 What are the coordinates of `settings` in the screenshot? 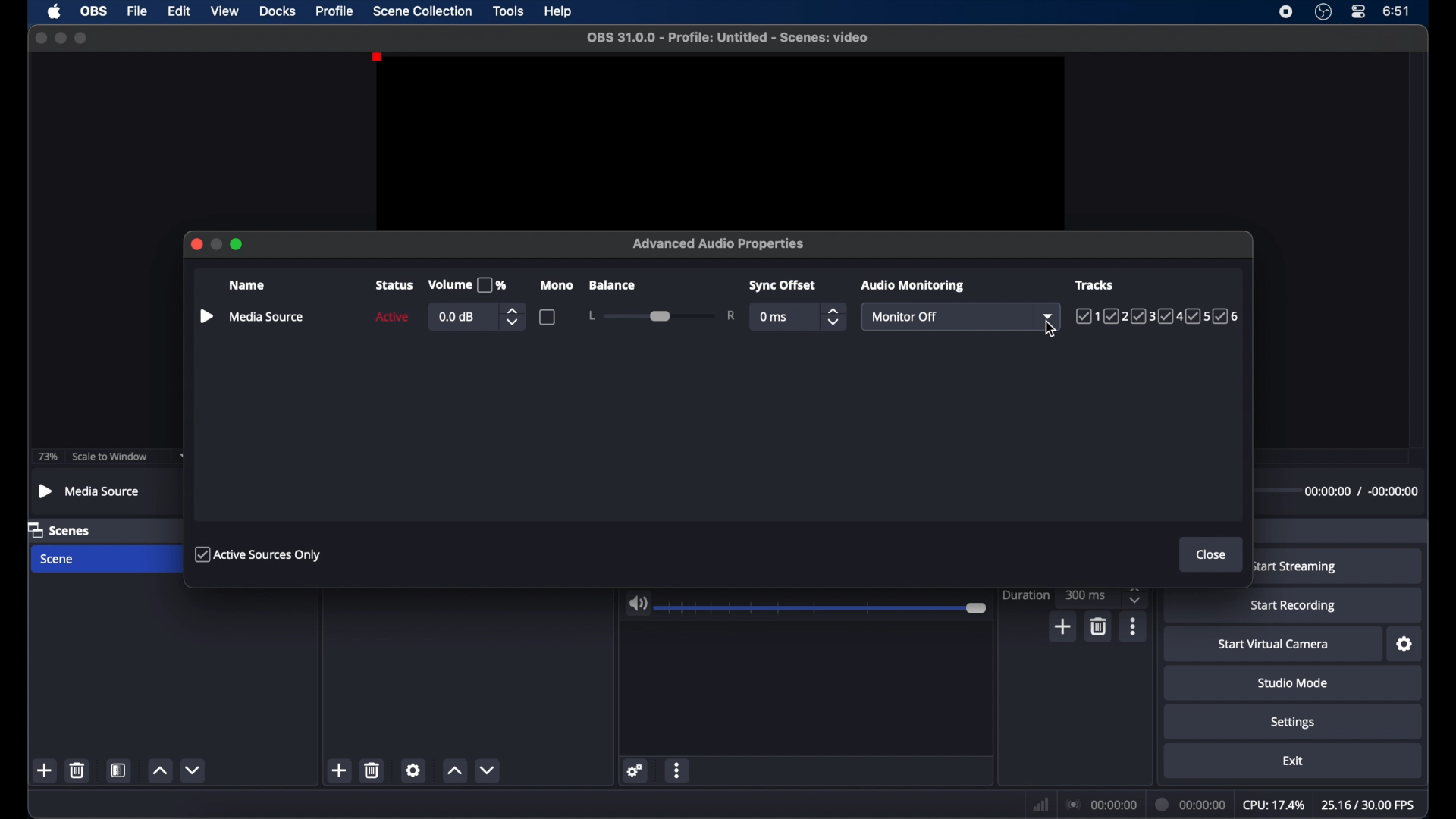 It's located at (635, 772).